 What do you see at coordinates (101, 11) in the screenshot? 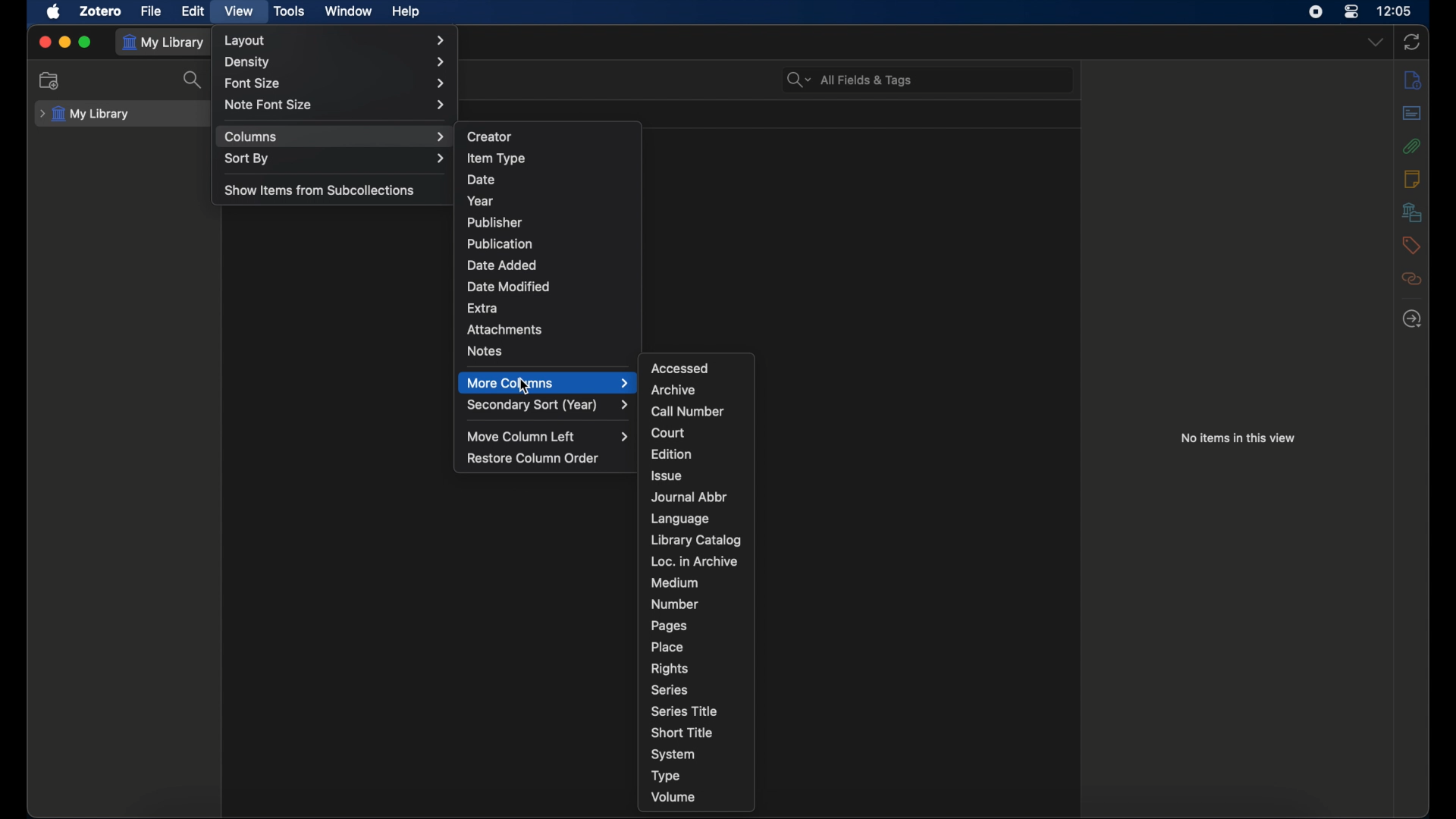
I see `zotero` at bounding box center [101, 11].